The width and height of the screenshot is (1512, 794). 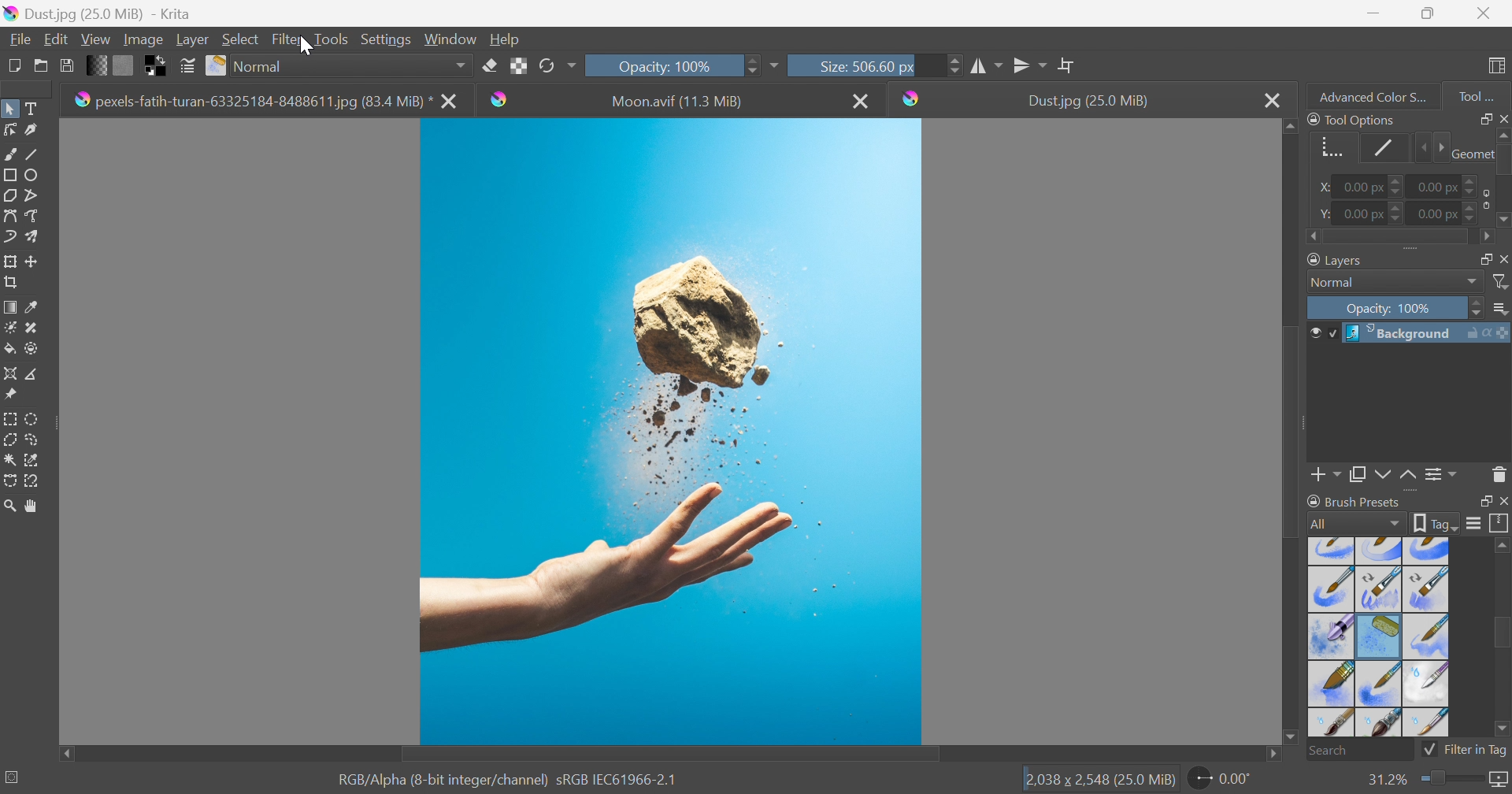 I want to click on Help, so click(x=506, y=39).